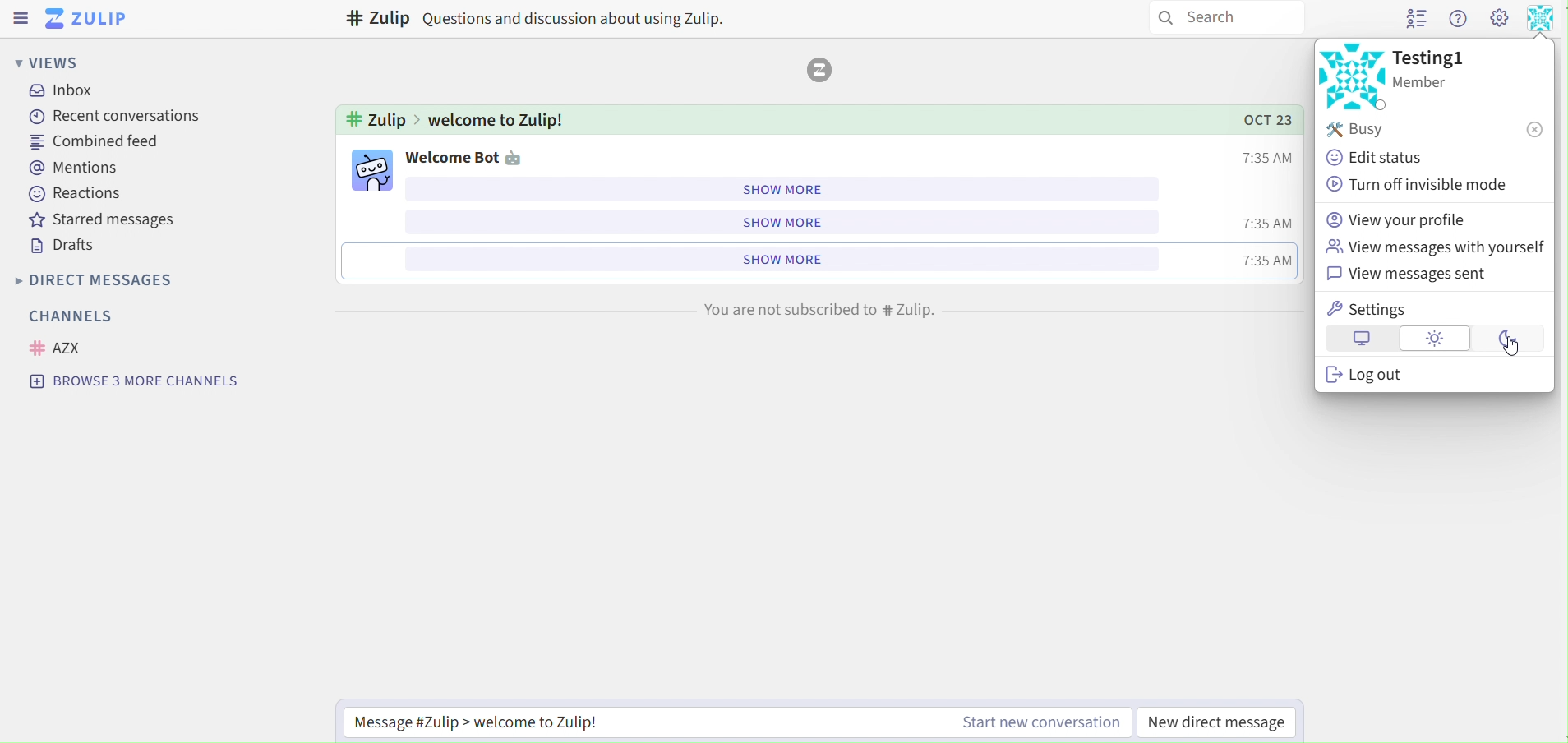 Image resolution: width=1568 pixels, height=743 pixels. Describe the element at coordinates (786, 189) in the screenshot. I see `show more` at that location.